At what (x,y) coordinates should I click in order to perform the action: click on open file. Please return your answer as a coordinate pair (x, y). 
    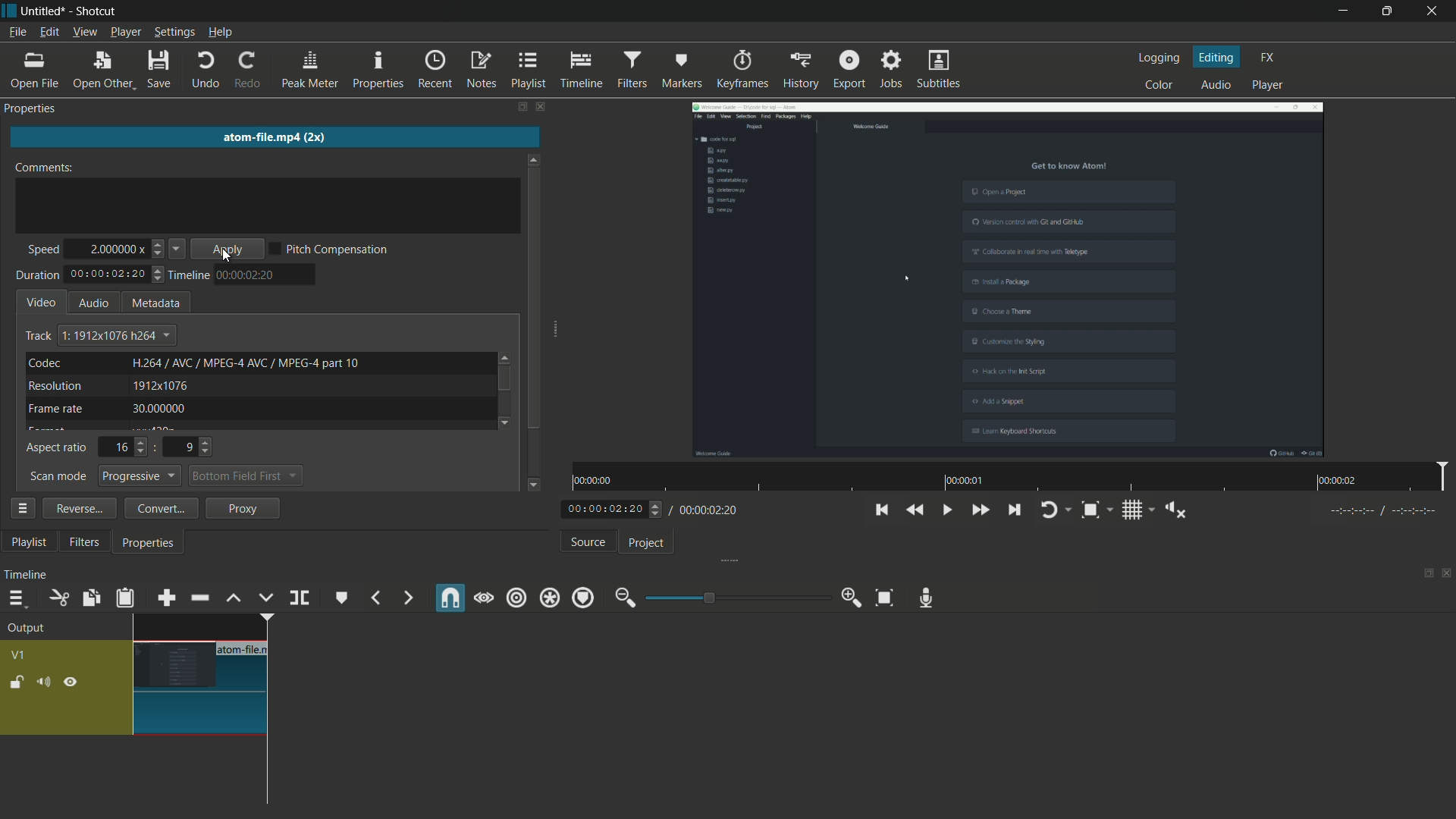
    Looking at the image, I should click on (33, 72).